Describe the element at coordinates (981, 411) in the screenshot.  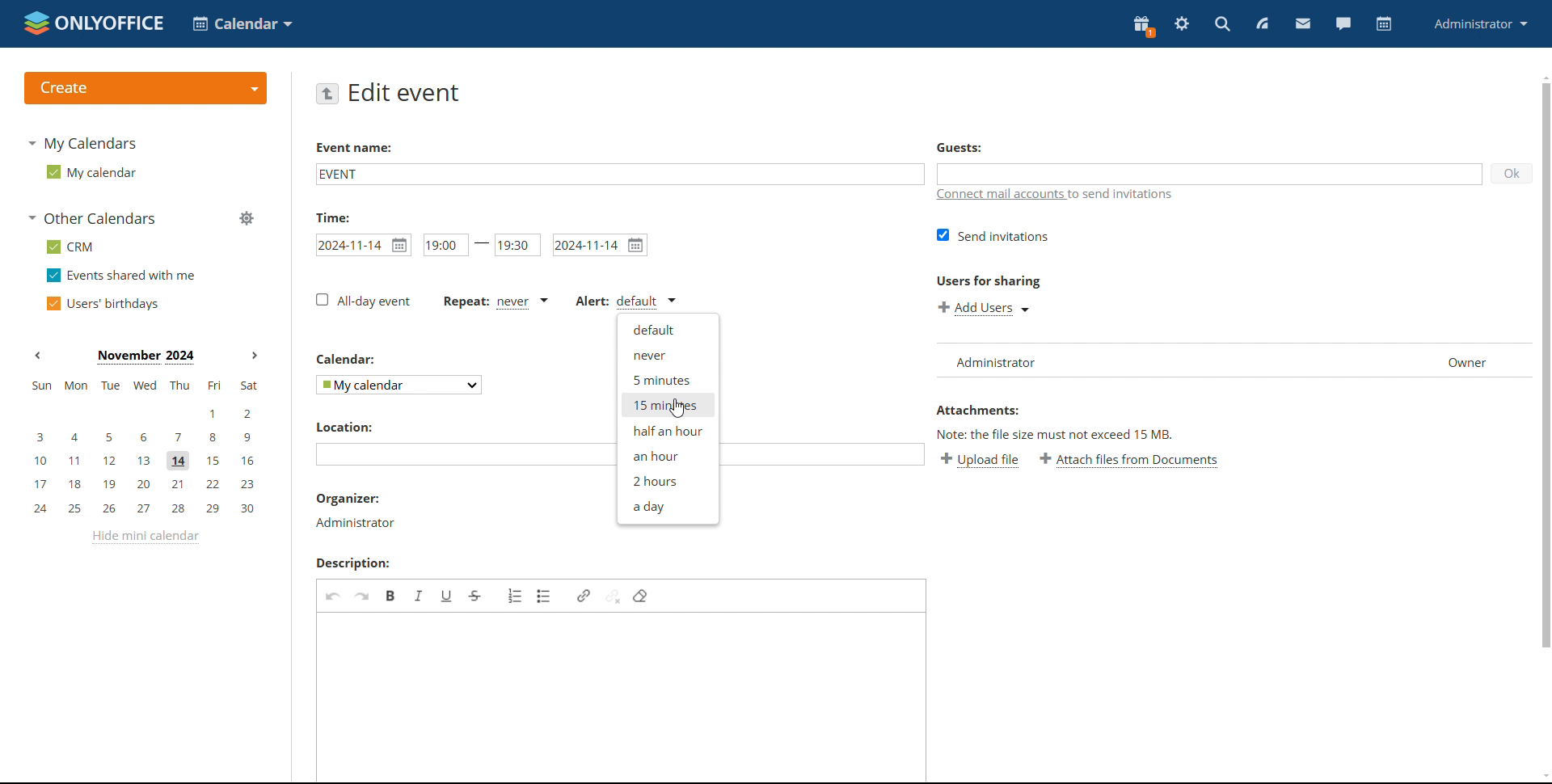
I see `attachment:` at that location.